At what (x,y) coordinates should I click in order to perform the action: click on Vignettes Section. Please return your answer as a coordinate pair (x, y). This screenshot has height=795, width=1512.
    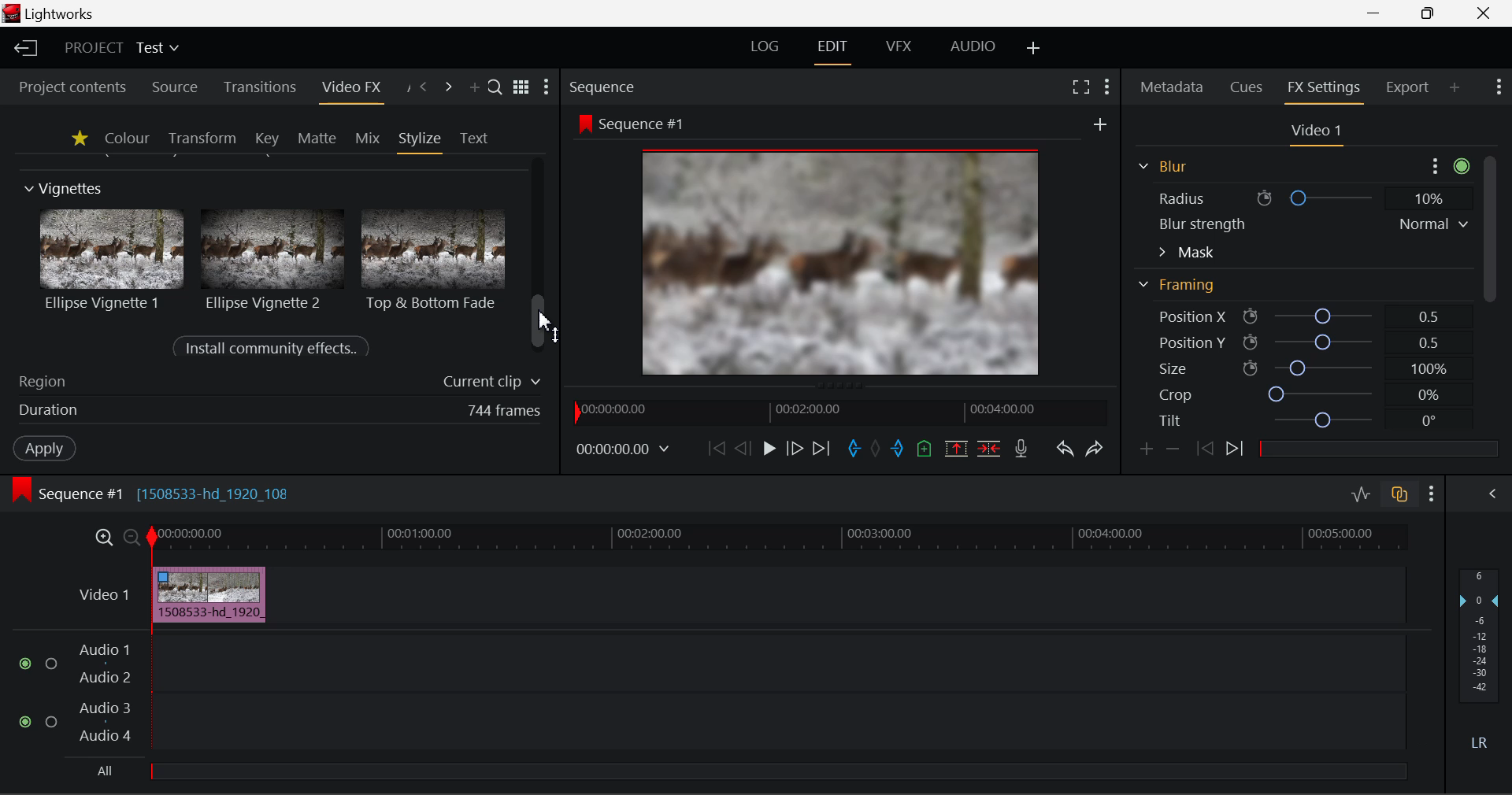
    Looking at the image, I should click on (65, 189).